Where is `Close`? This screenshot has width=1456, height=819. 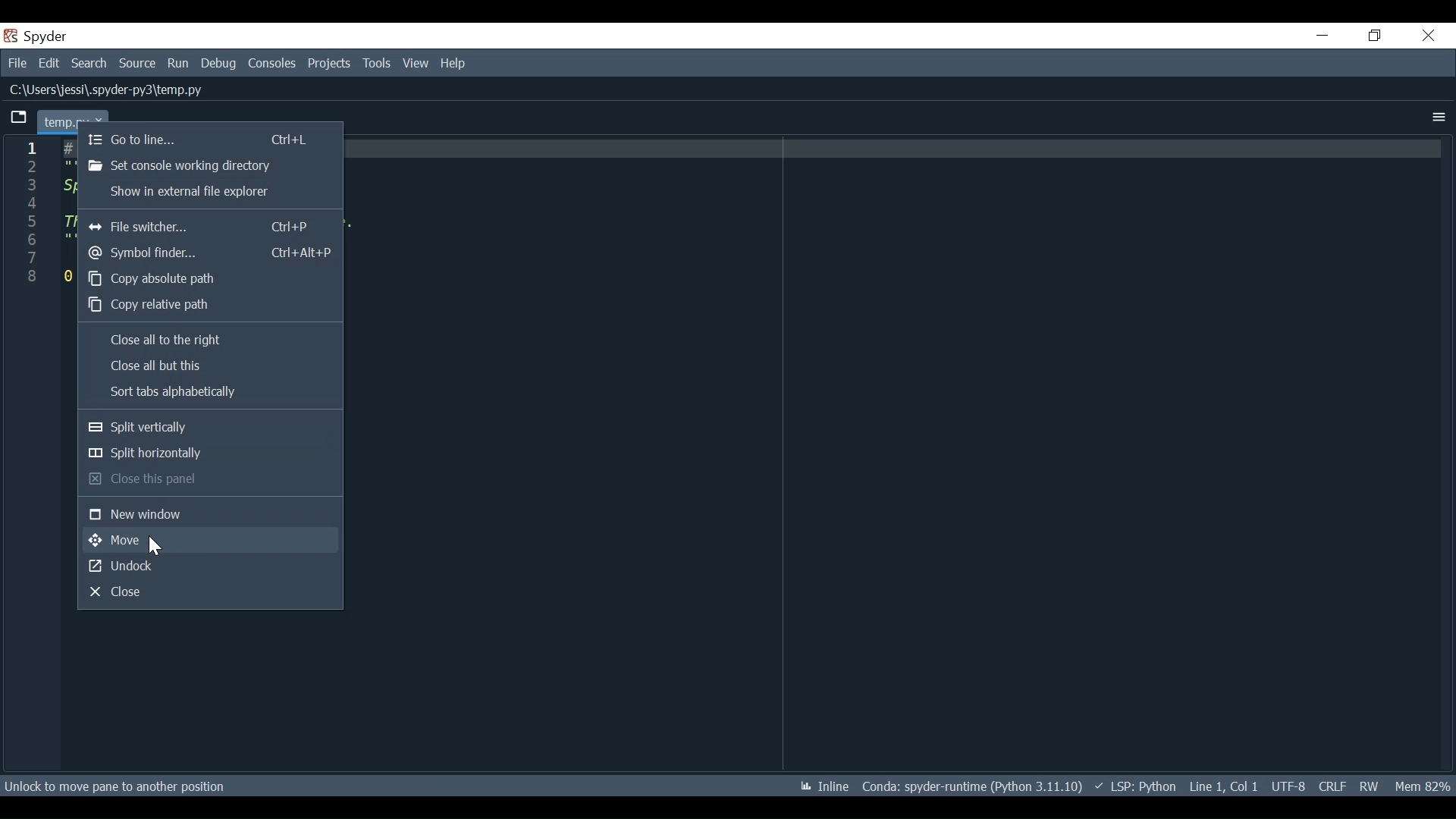 Close is located at coordinates (210, 594).